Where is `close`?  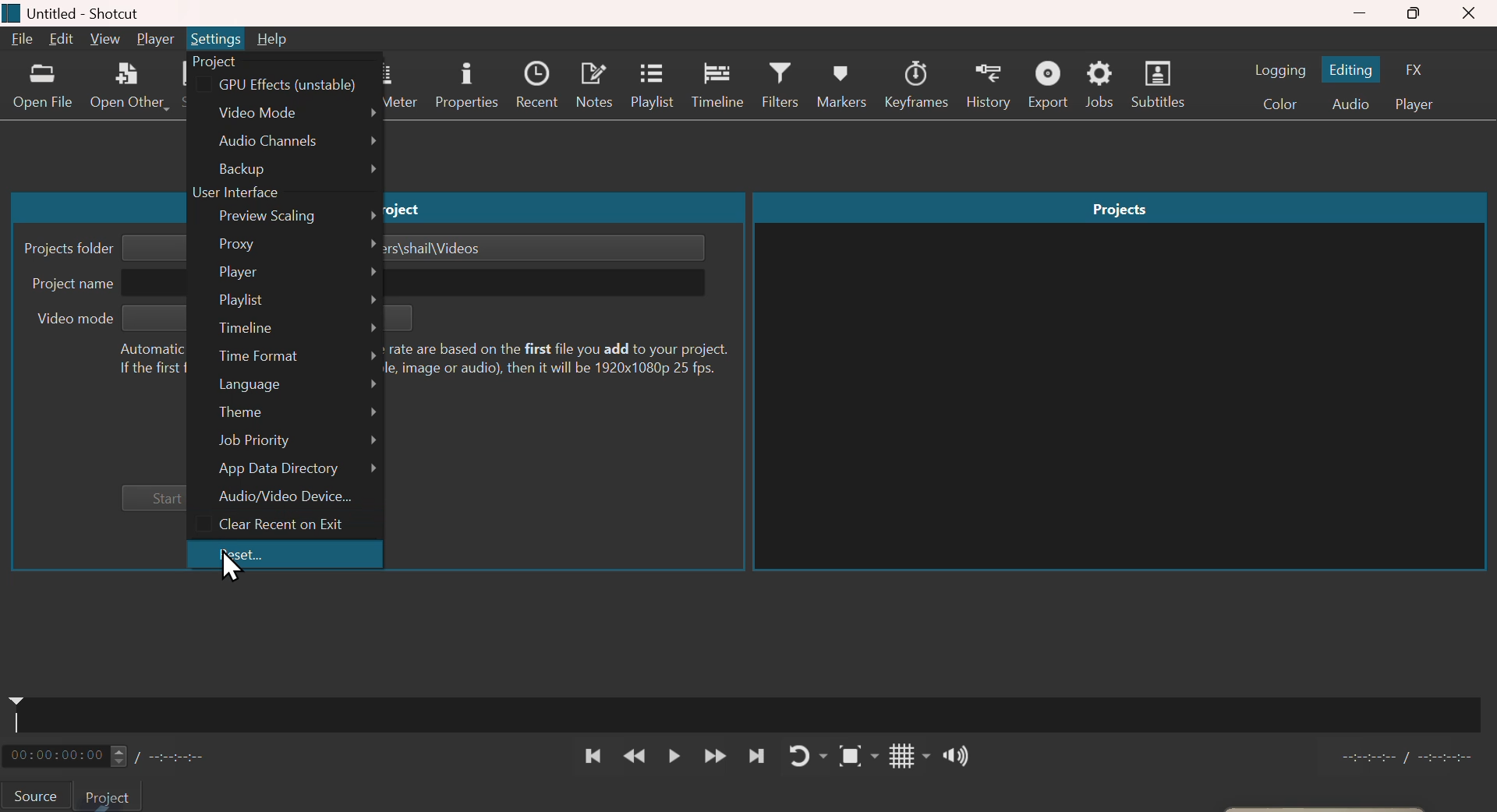
close is located at coordinates (1472, 13).